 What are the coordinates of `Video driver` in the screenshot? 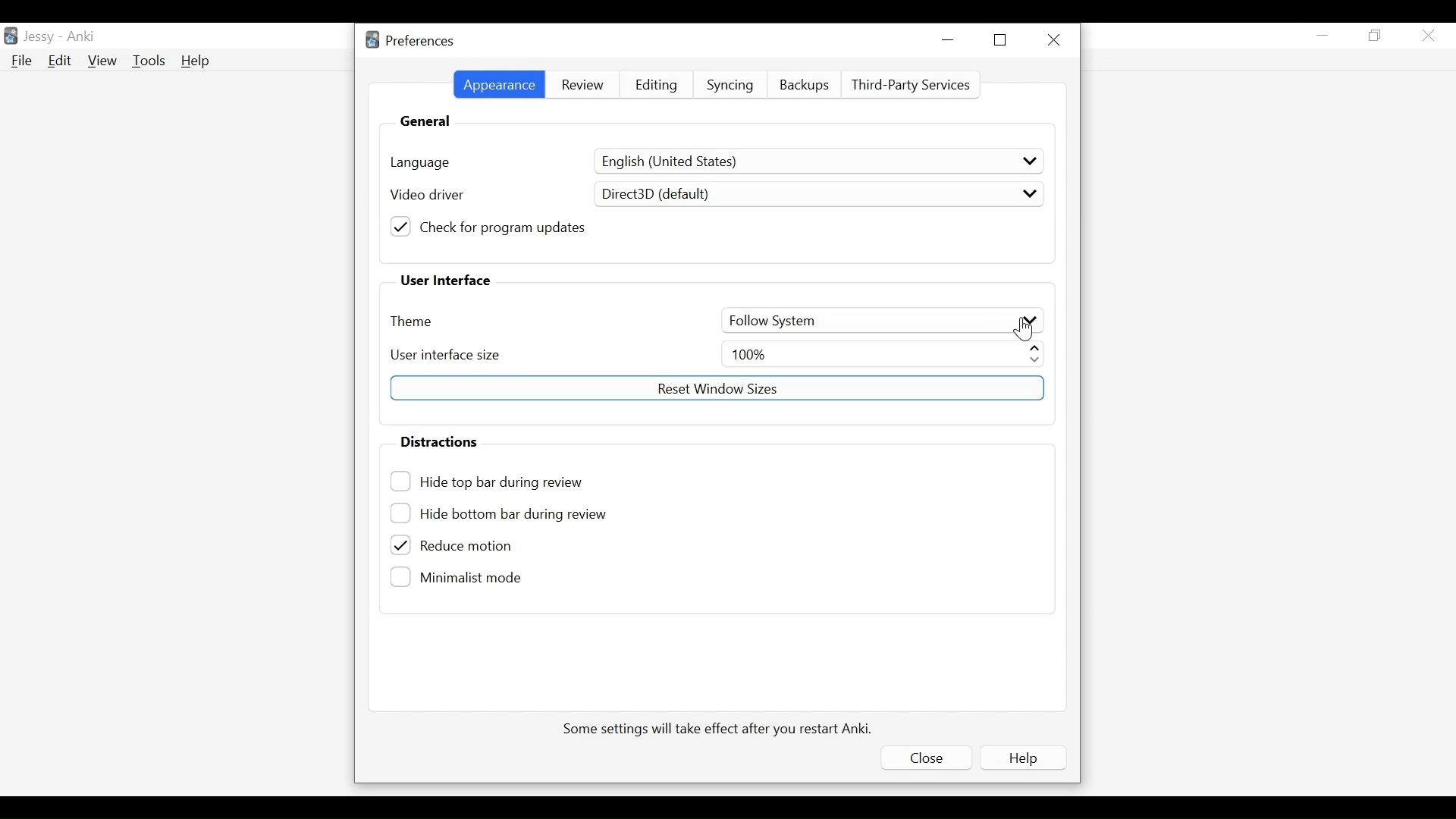 It's located at (426, 196).